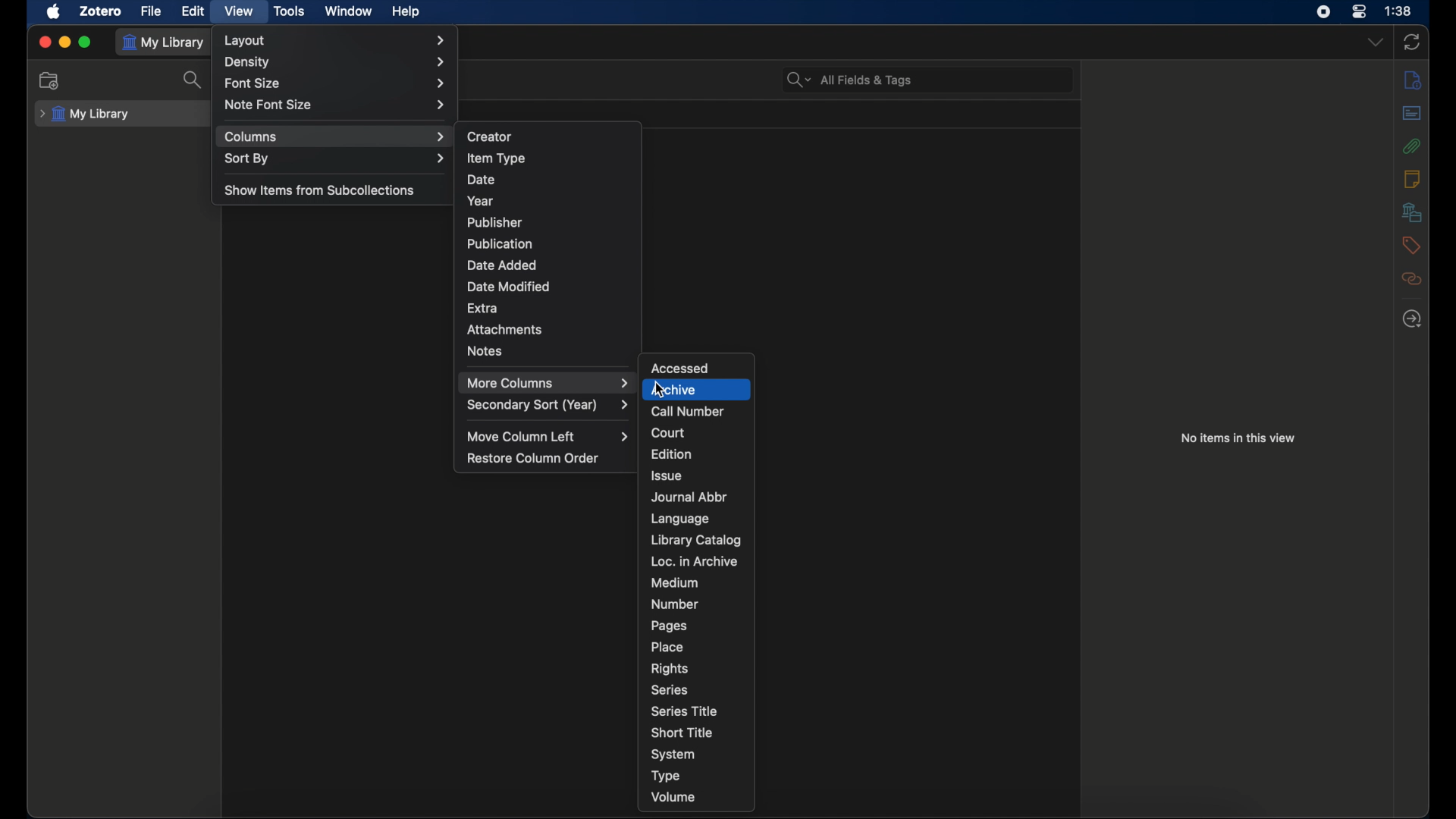 Image resolution: width=1456 pixels, height=819 pixels. I want to click on creator, so click(491, 135).